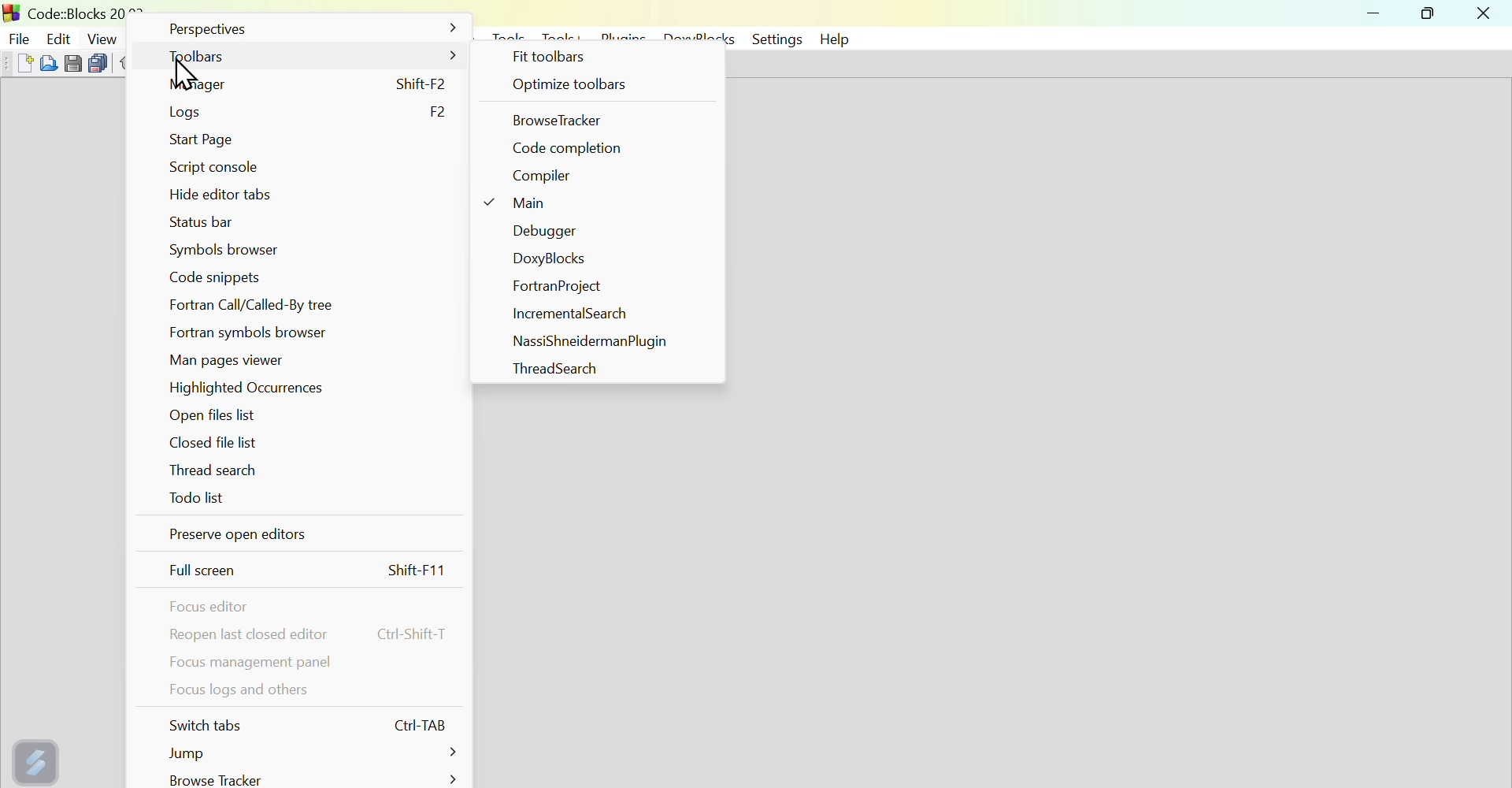 The width and height of the screenshot is (1512, 788). What do you see at coordinates (210, 442) in the screenshot?
I see `Closed files list` at bounding box center [210, 442].